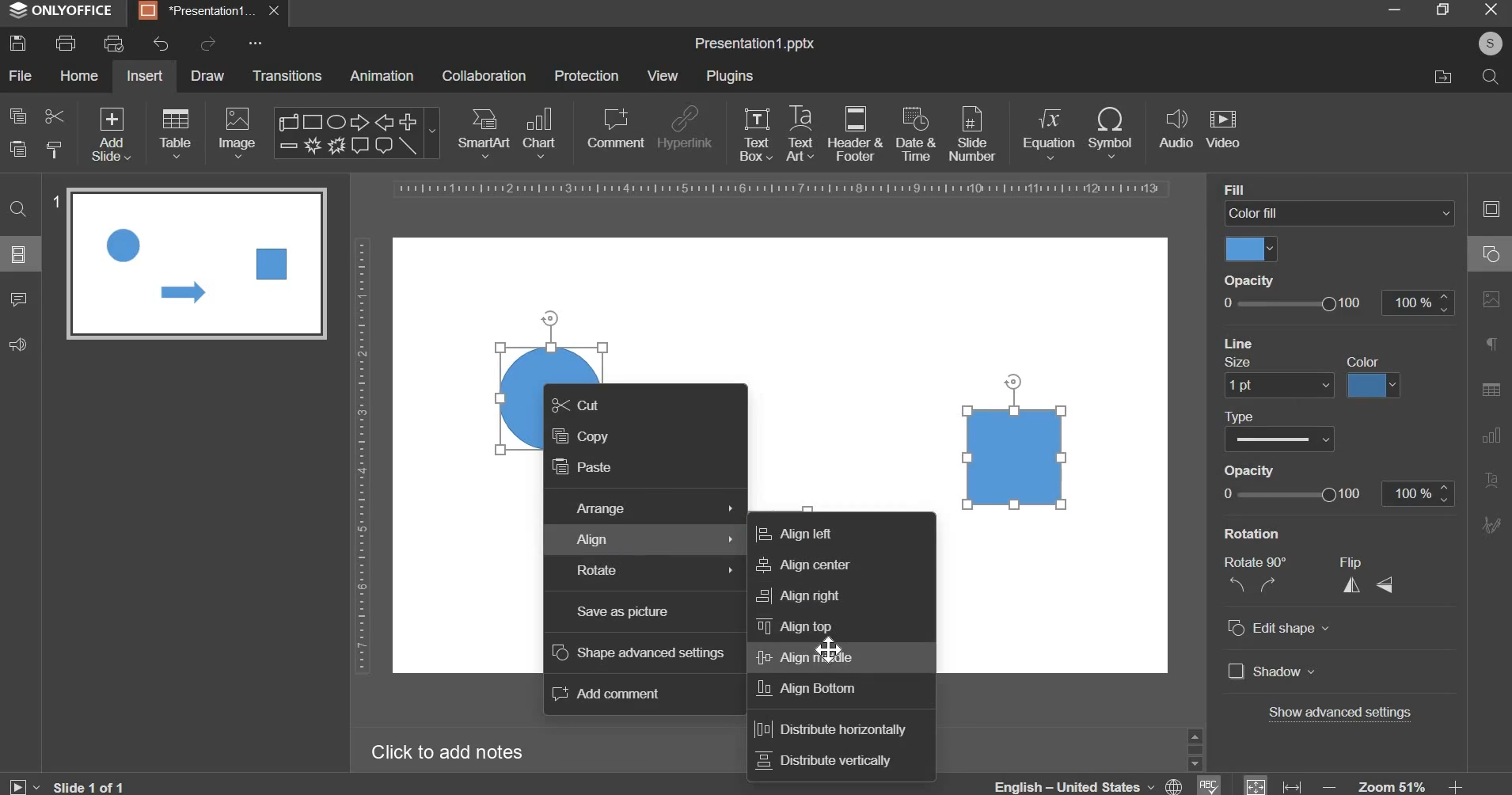 The height and width of the screenshot is (795, 1512). Describe the element at coordinates (803, 657) in the screenshot. I see `align middle` at that location.